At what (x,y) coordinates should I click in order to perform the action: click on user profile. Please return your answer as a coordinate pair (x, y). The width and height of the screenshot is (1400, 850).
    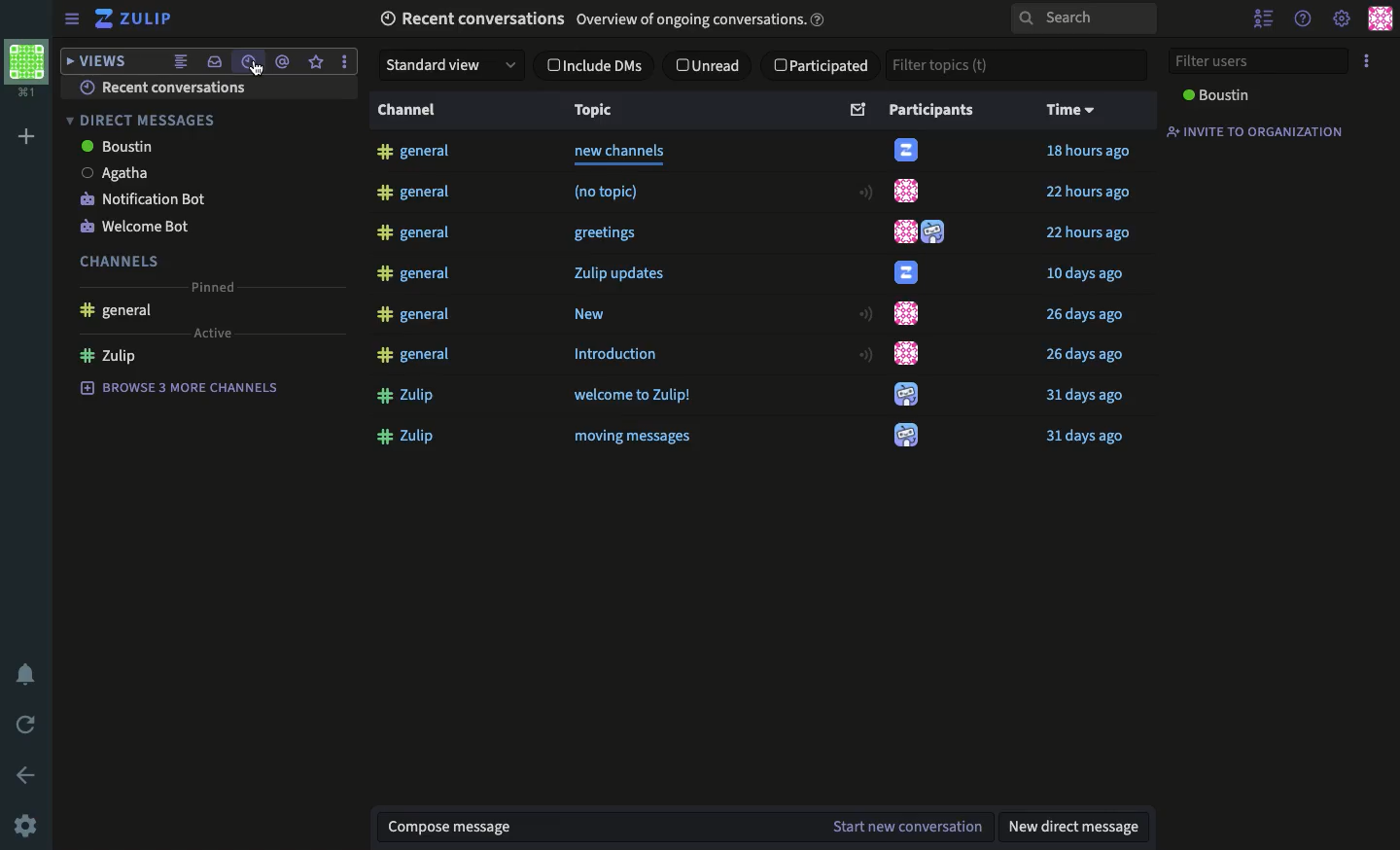
    Looking at the image, I should click on (910, 150).